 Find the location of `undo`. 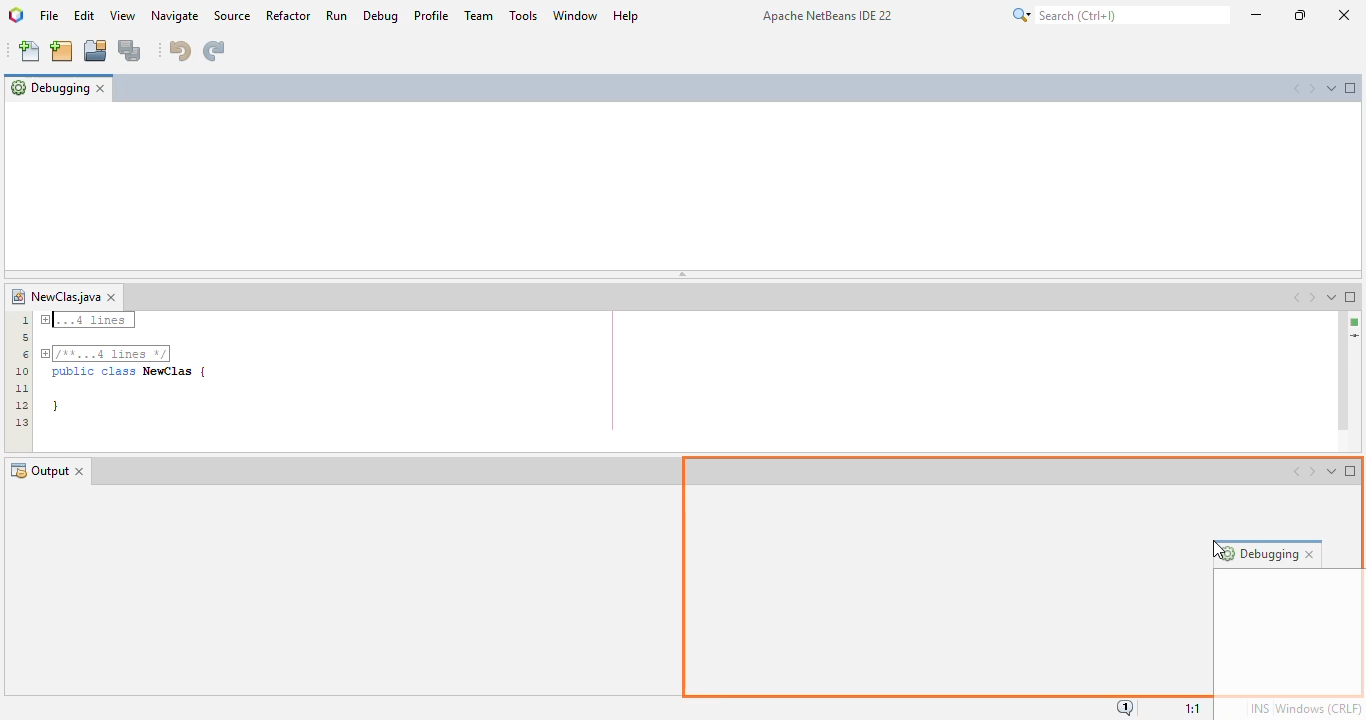

undo is located at coordinates (178, 49).